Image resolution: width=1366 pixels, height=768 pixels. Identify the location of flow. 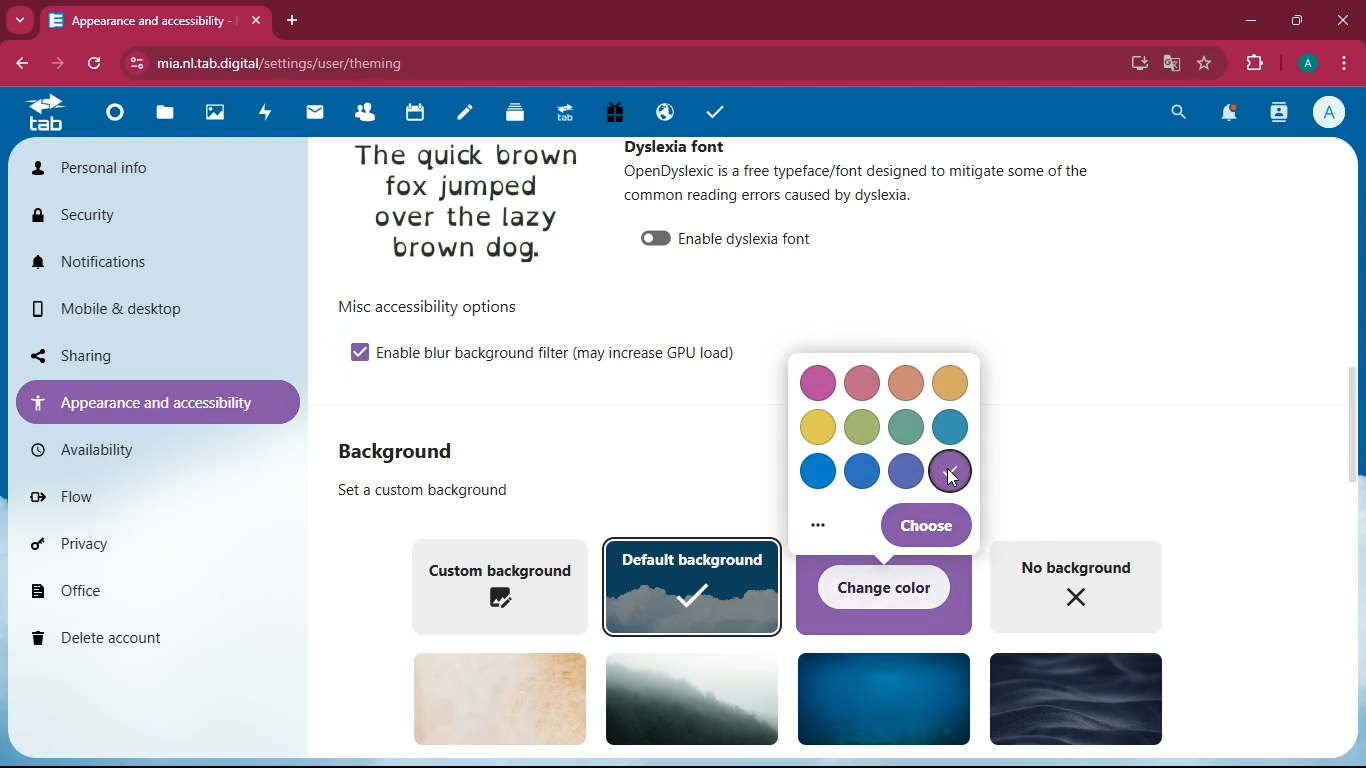
(120, 493).